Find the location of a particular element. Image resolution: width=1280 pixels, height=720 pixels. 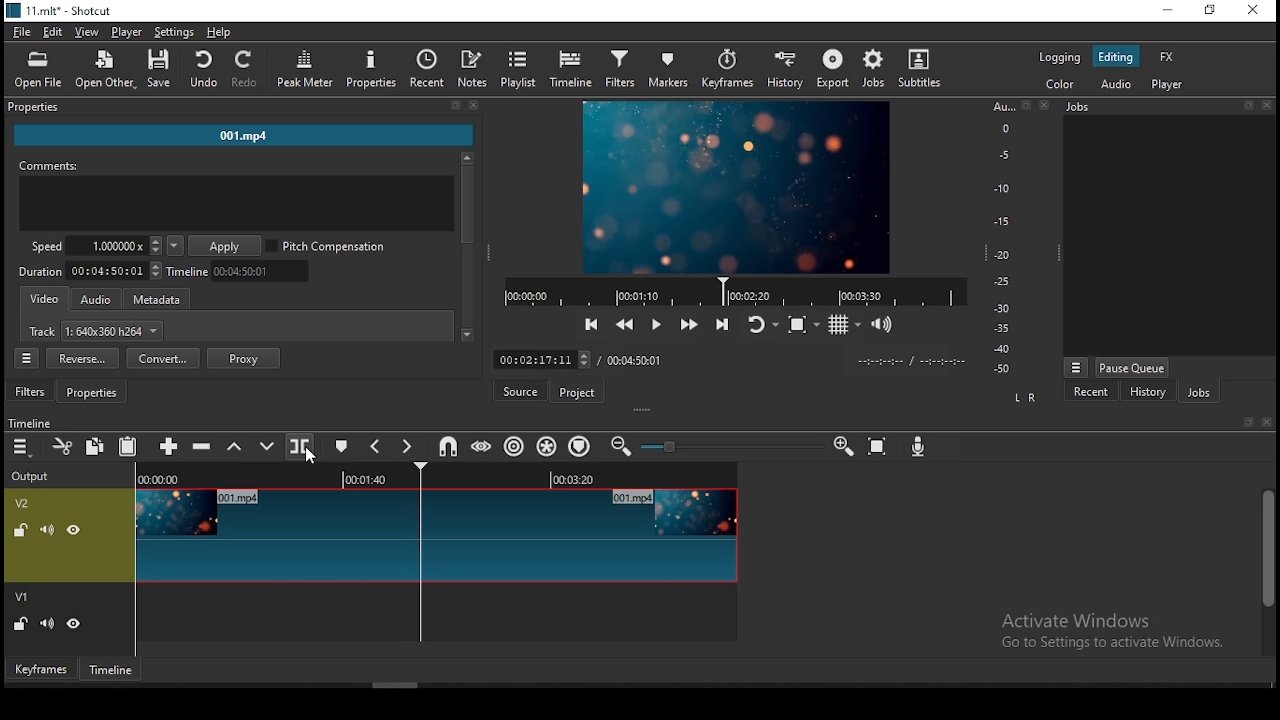

properties is located at coordinates (372, 69).